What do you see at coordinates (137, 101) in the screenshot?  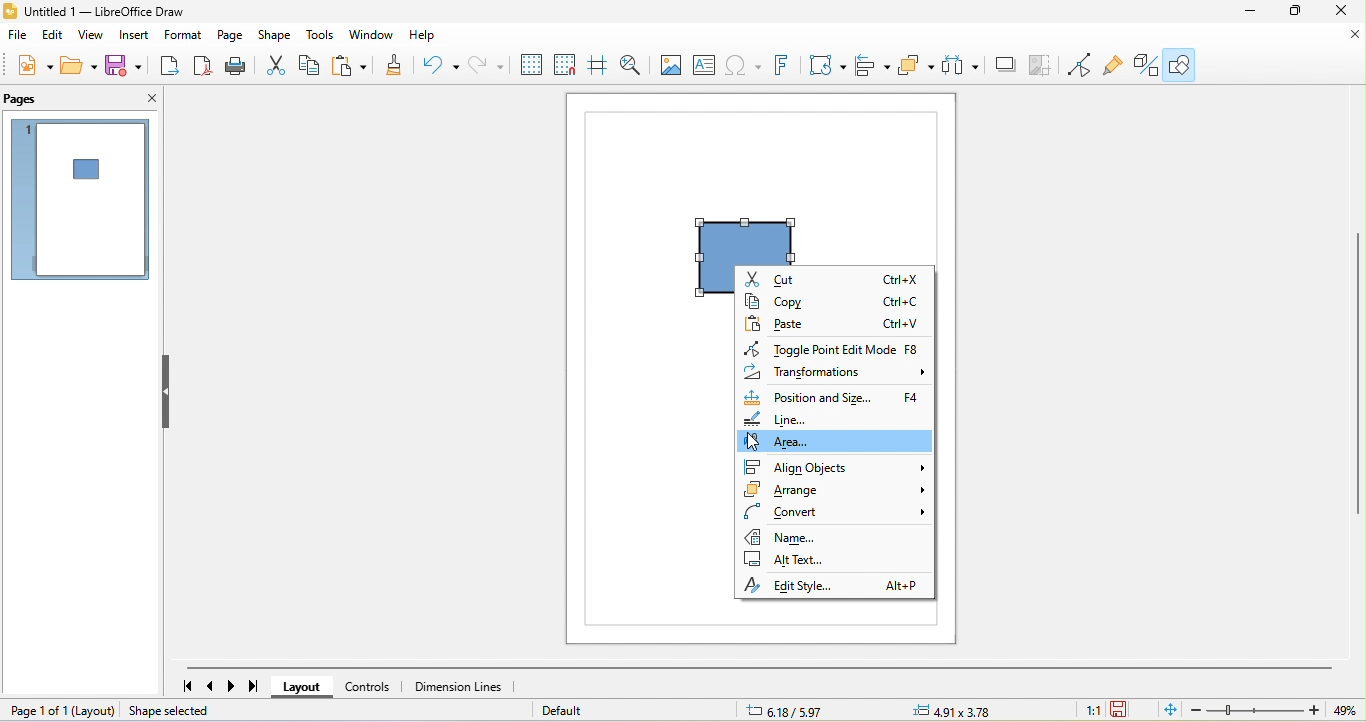 I see `close` at bounding box center [137, 101].